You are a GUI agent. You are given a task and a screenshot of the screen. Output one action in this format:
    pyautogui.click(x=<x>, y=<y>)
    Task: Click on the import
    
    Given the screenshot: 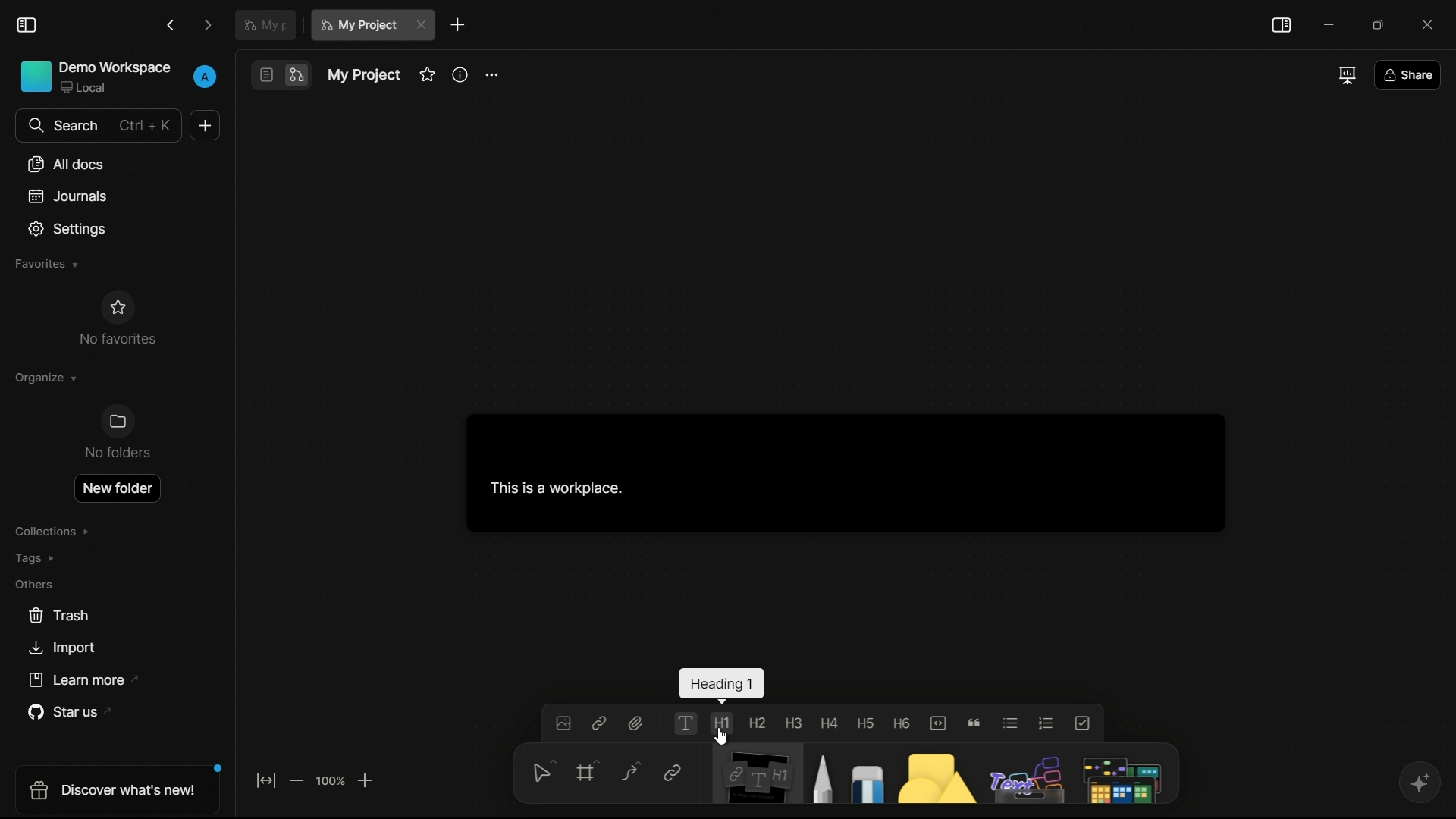 What is the action you would take?
    pyautogui.click(x=61, y=648)
    